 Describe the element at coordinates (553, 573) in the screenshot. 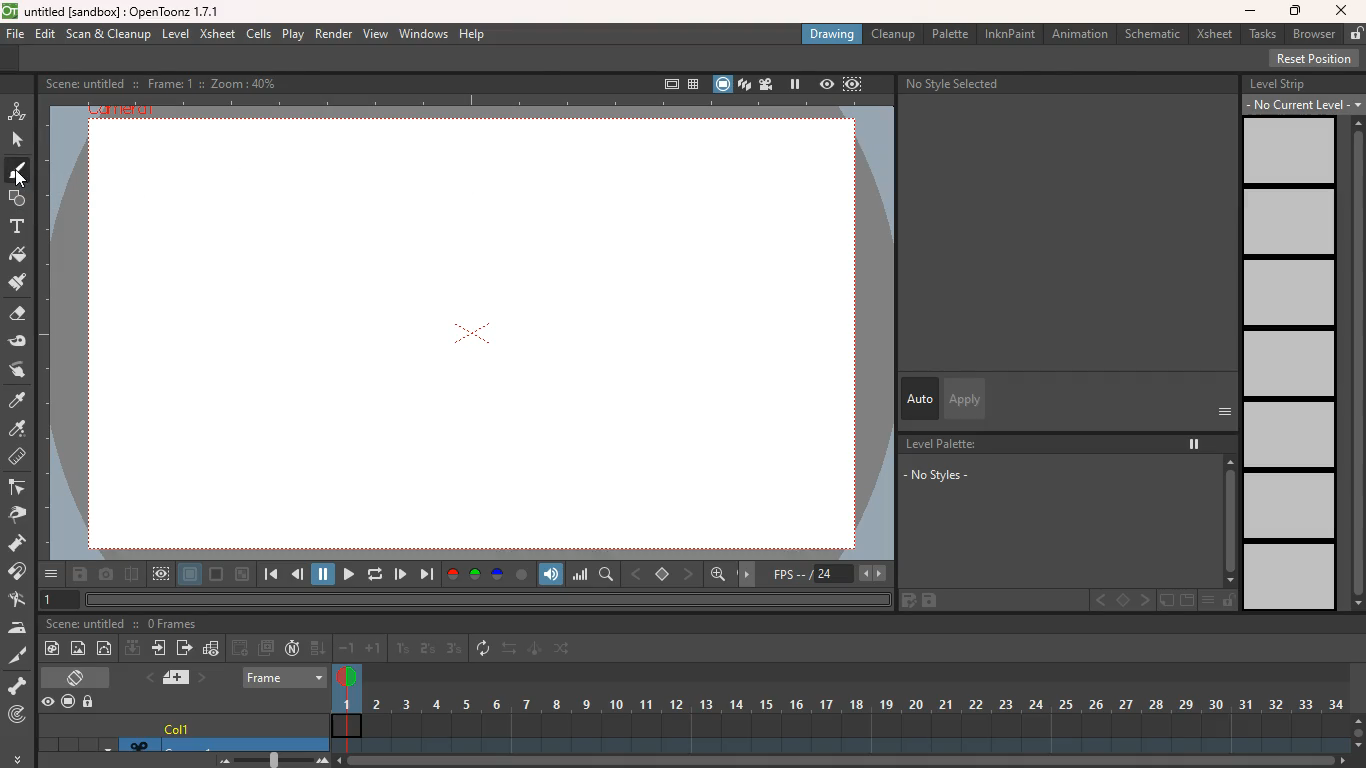

I see `volume` at that location.